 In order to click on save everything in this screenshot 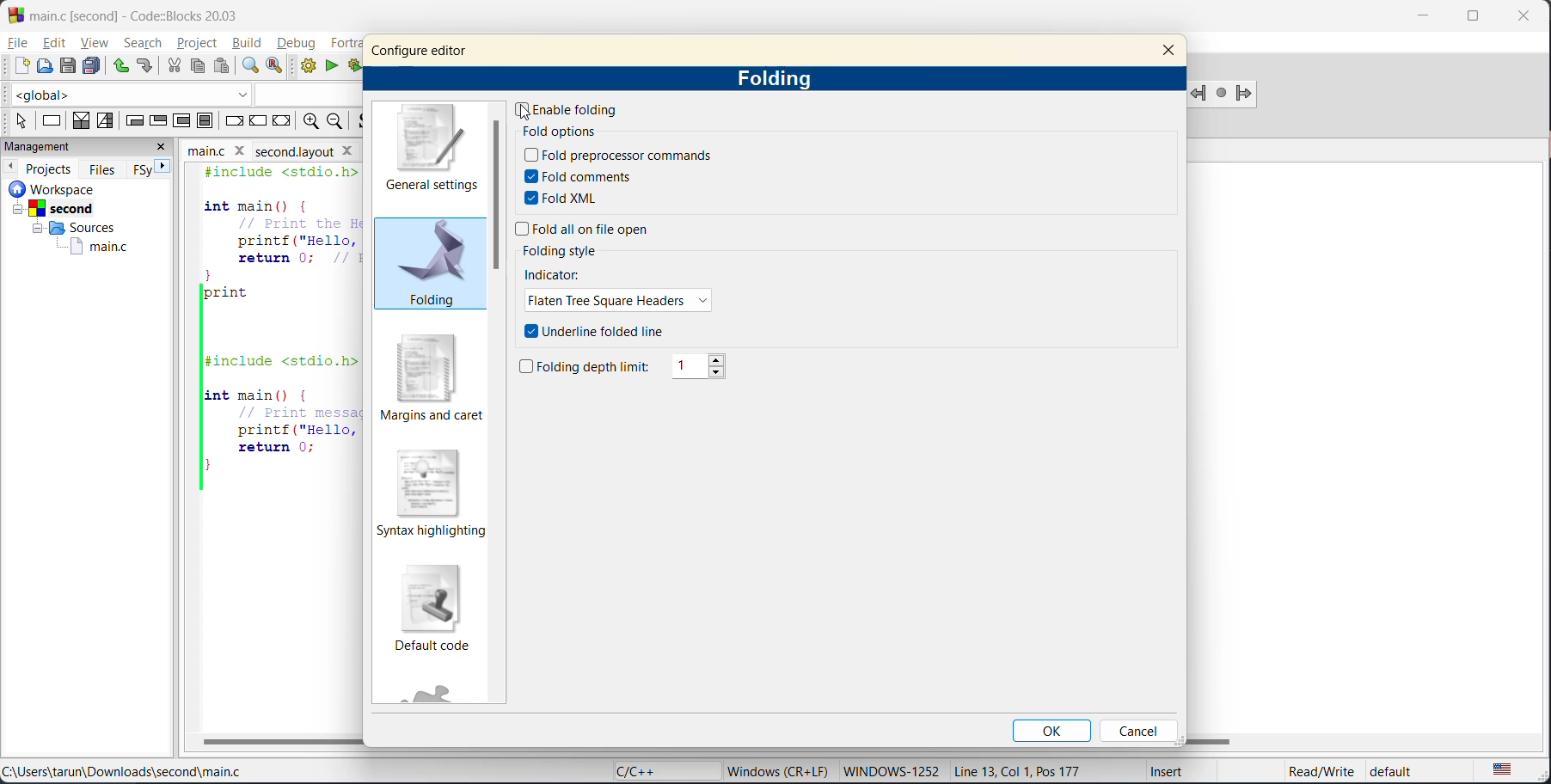, I will do `click(94, 65)`.